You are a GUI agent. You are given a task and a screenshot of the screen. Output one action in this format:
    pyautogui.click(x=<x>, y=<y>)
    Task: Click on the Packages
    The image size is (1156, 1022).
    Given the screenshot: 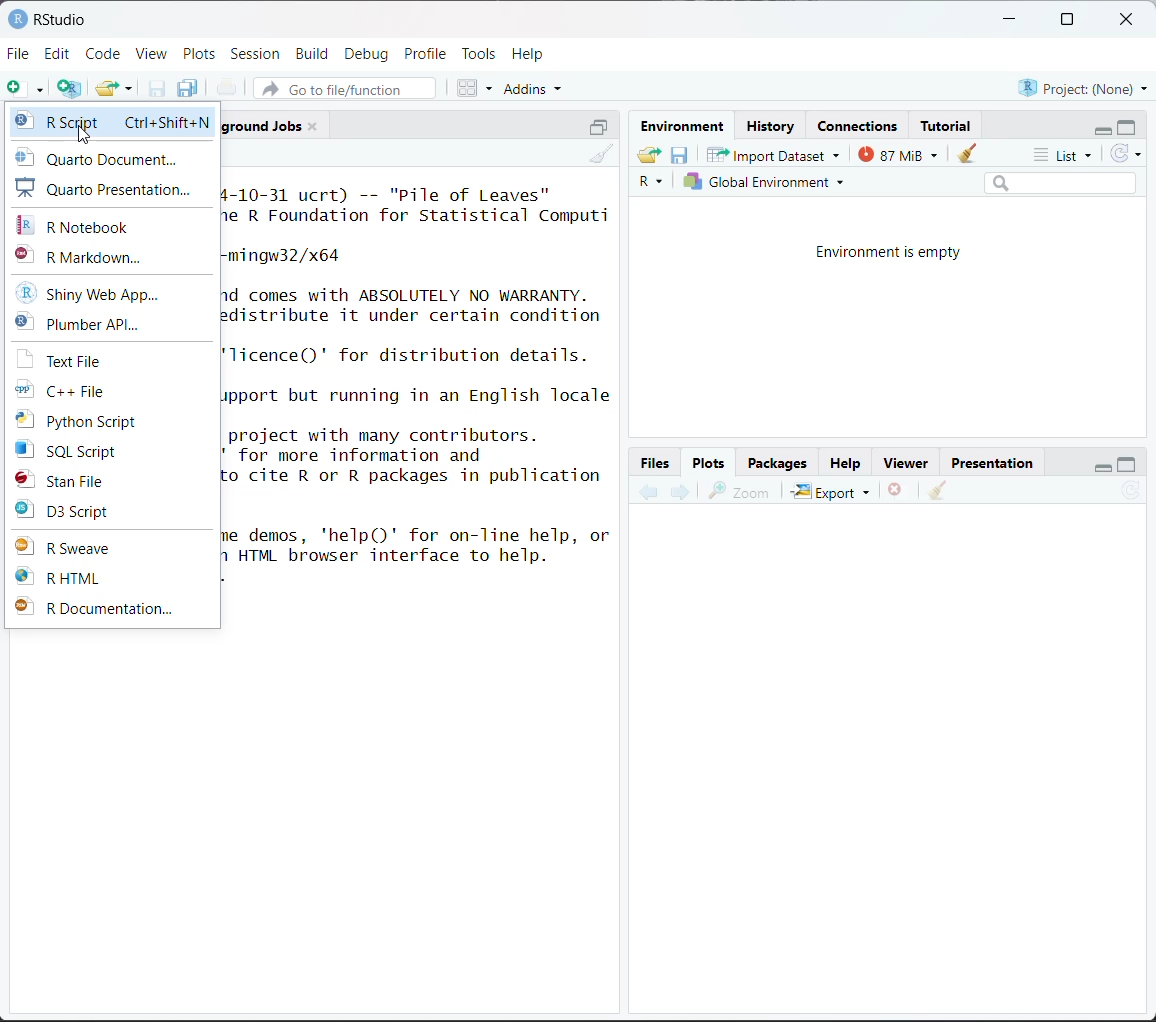 What is the action you would take?
    pyautogui.click(x=777, y=462)
    